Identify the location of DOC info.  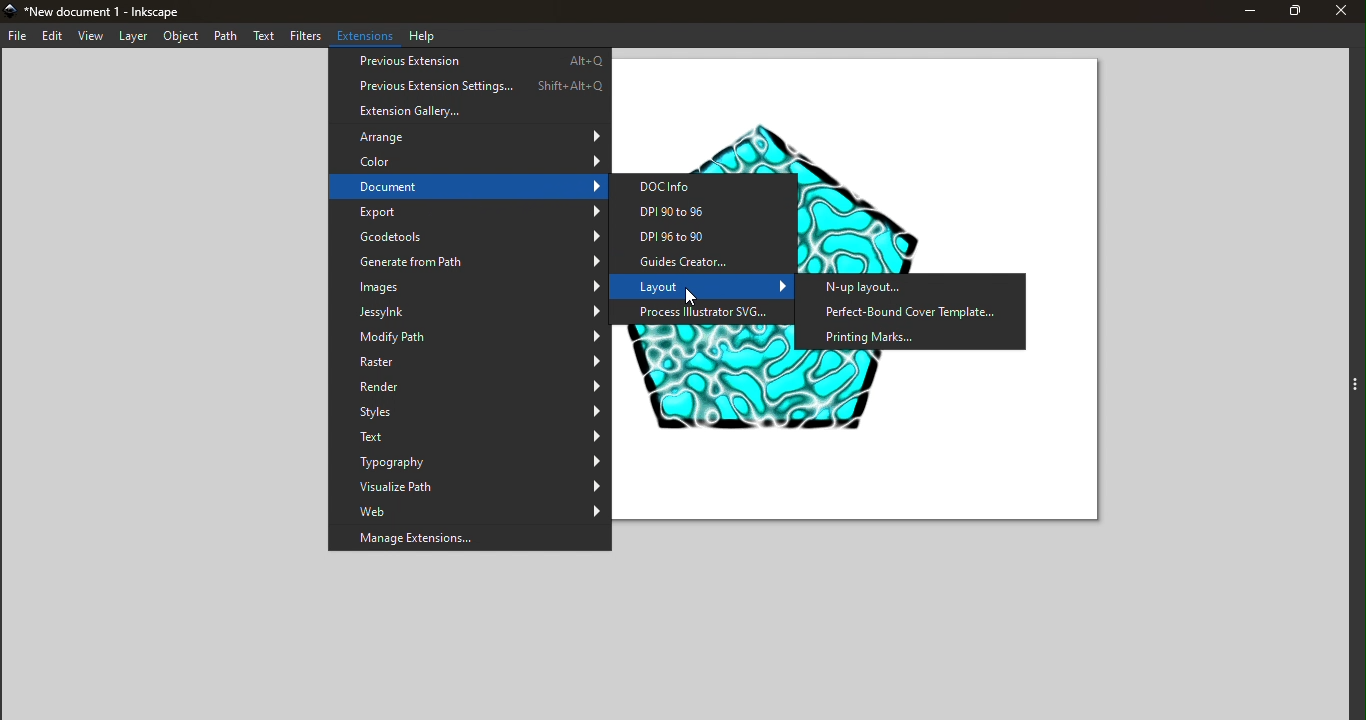
(709, 186).